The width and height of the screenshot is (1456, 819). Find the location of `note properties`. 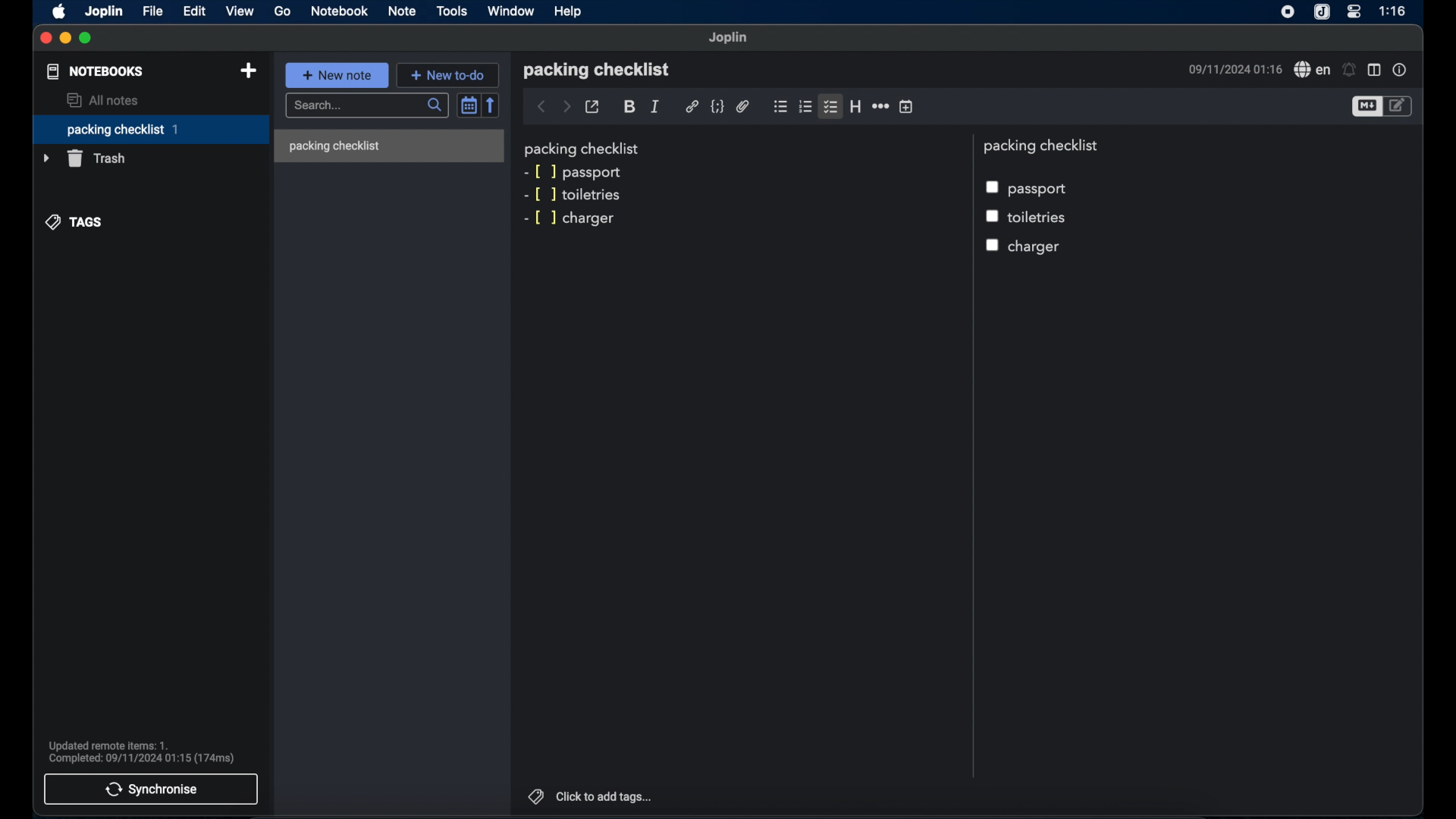

note properties is located at coordinates (1401, 70).